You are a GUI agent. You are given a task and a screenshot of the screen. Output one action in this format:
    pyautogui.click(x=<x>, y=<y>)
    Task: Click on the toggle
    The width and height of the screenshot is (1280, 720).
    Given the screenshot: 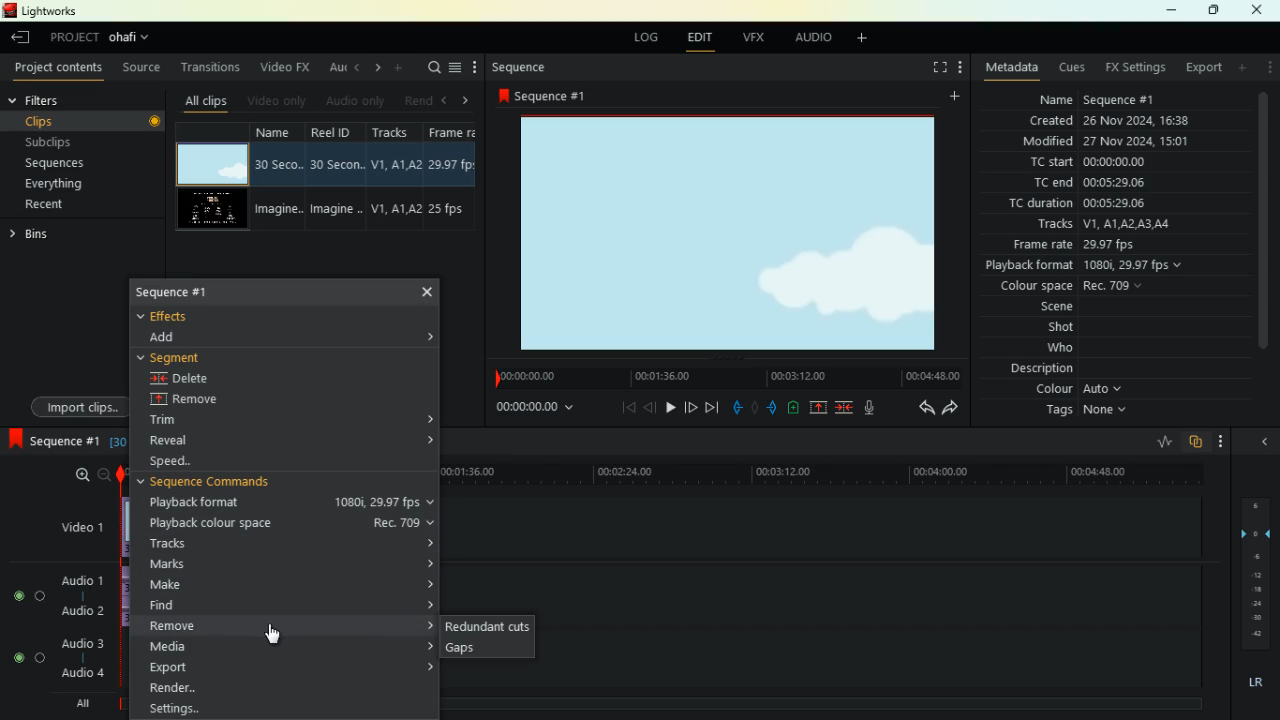 What is the action you would take?
    pyautogui.click(x=42, y=596)
    